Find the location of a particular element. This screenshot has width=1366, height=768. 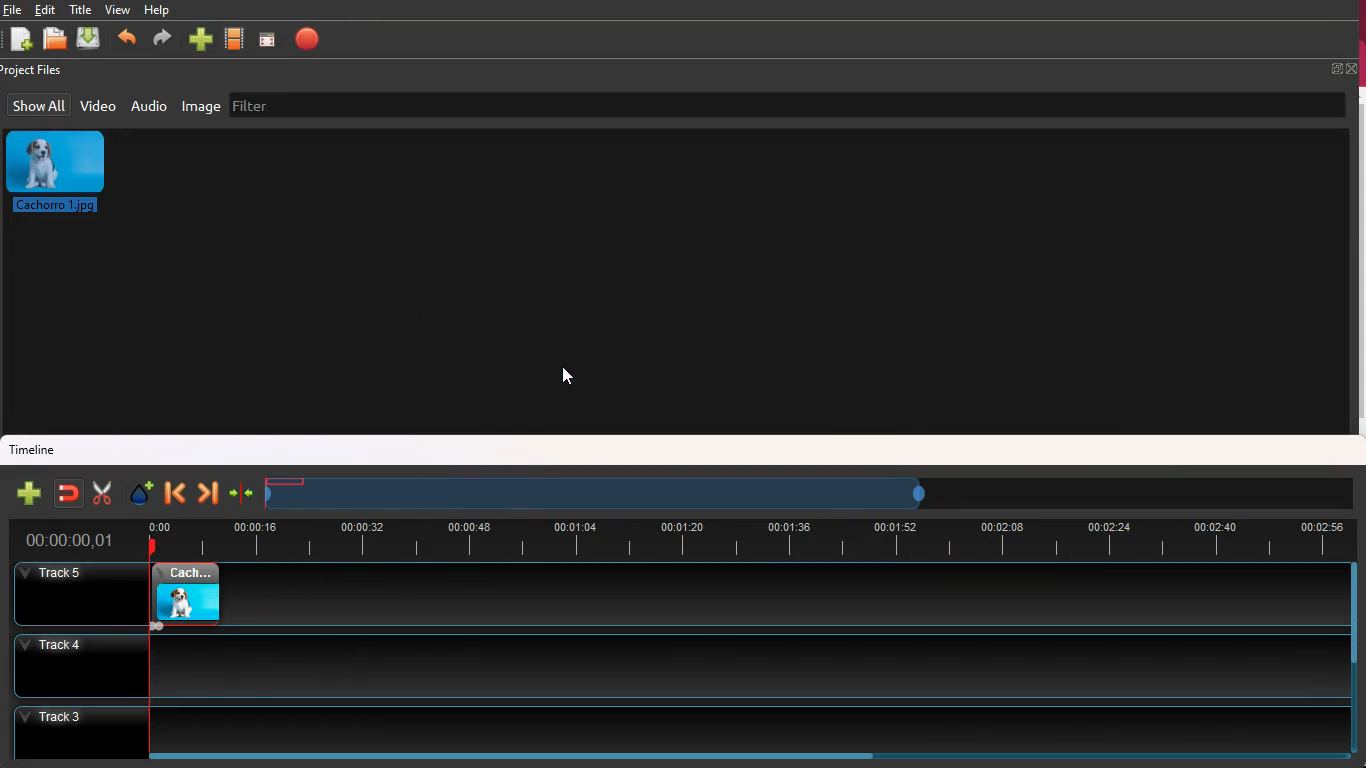

join is located at coordinates (242, 493).